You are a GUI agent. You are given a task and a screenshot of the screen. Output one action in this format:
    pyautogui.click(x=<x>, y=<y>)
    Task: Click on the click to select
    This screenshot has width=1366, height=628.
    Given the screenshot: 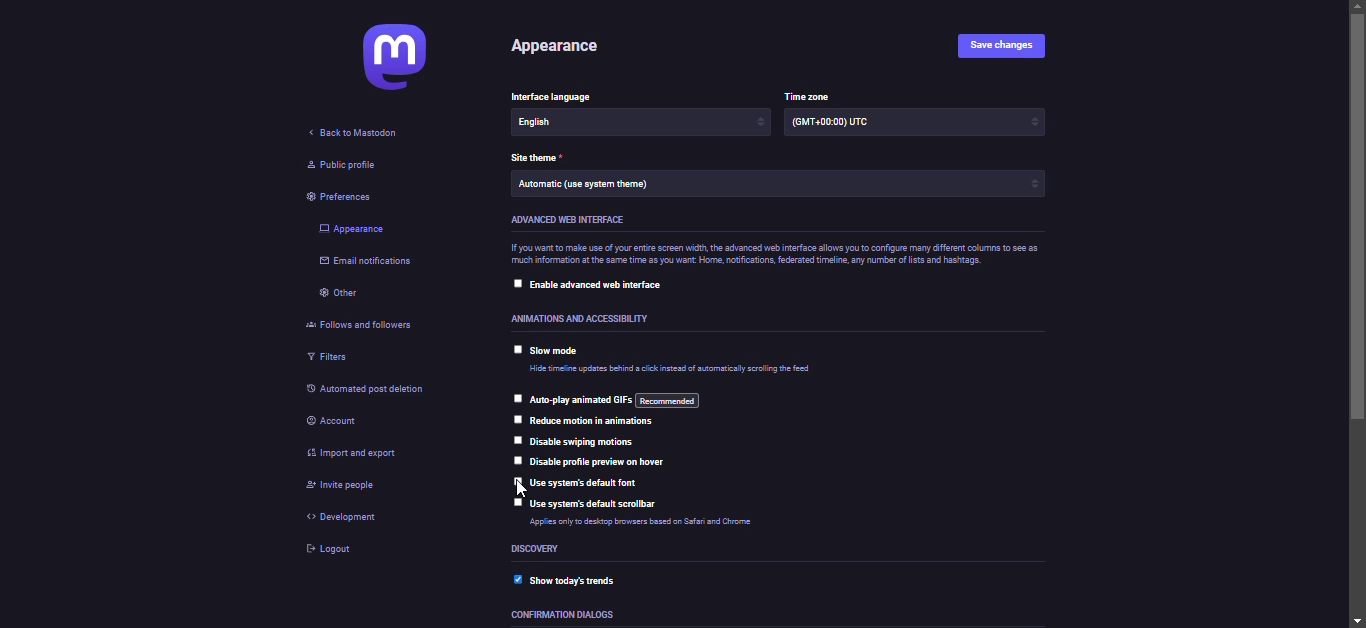 What is the action you would take?
    pyautogui.click(x=516, y=482)
    